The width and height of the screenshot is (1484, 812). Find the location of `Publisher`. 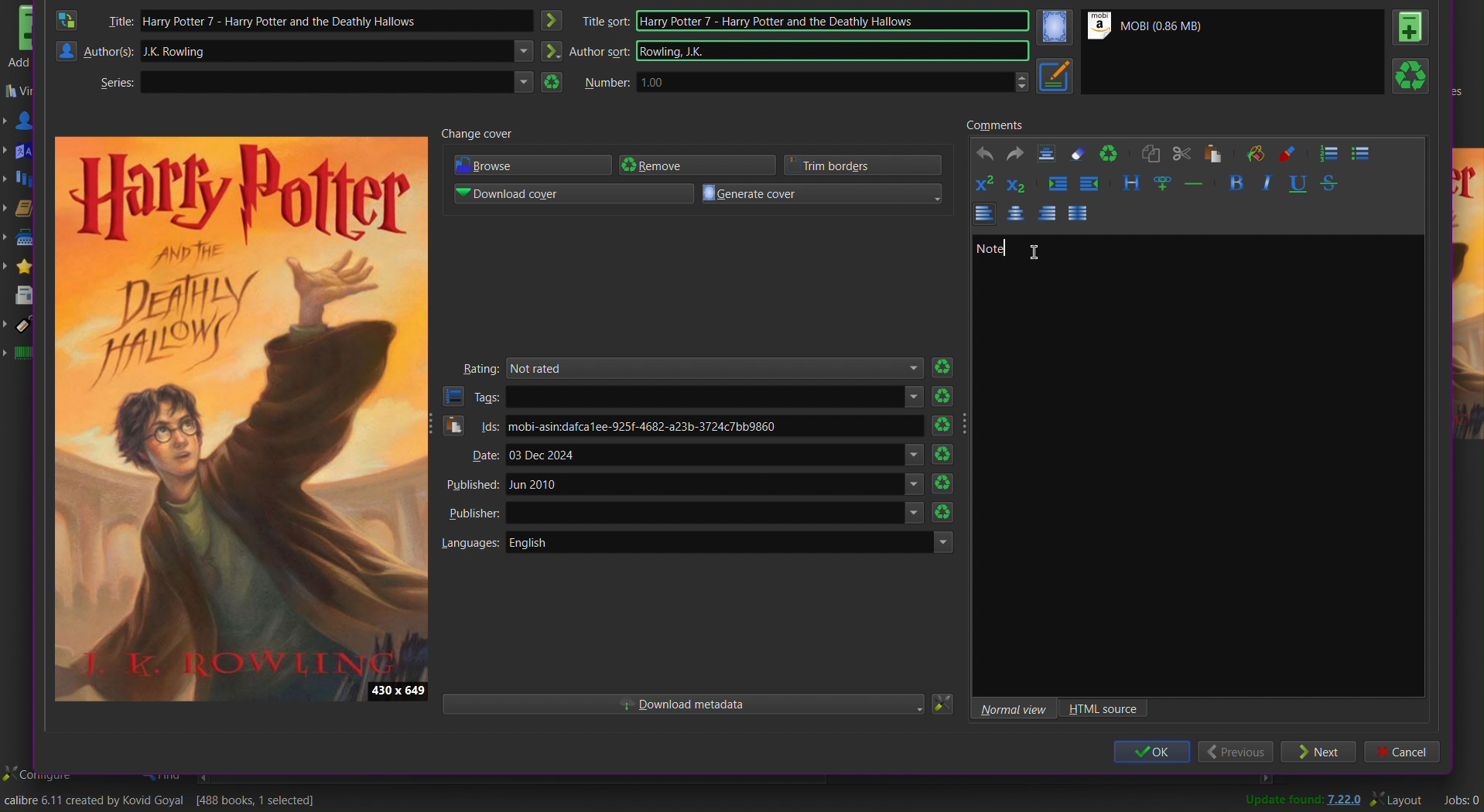

Publisher is located at coordinates (472, 513).